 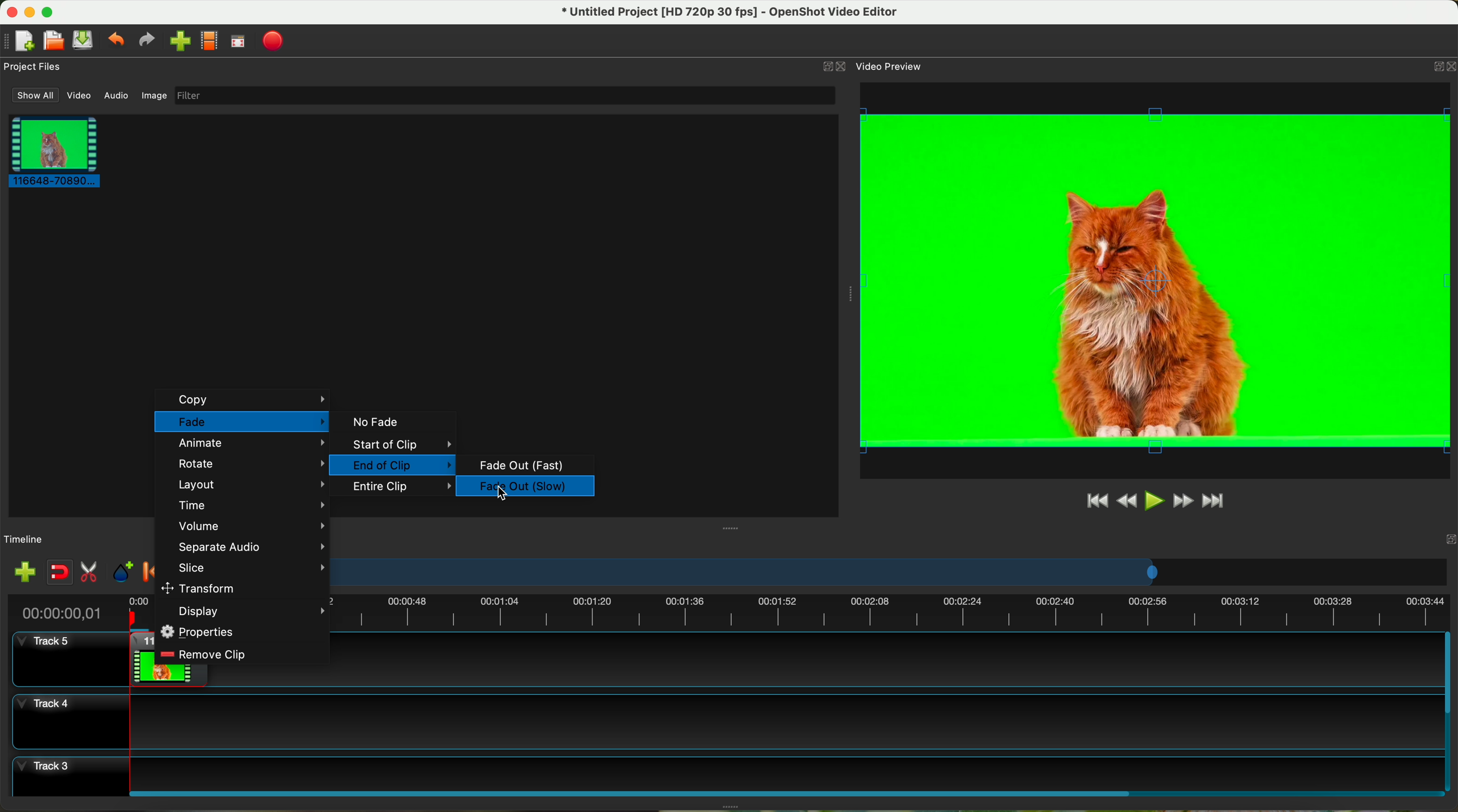 What do you see at coordinates (55, 40) in the screenshot?
I see `open project` at bounding box center [55, 40].